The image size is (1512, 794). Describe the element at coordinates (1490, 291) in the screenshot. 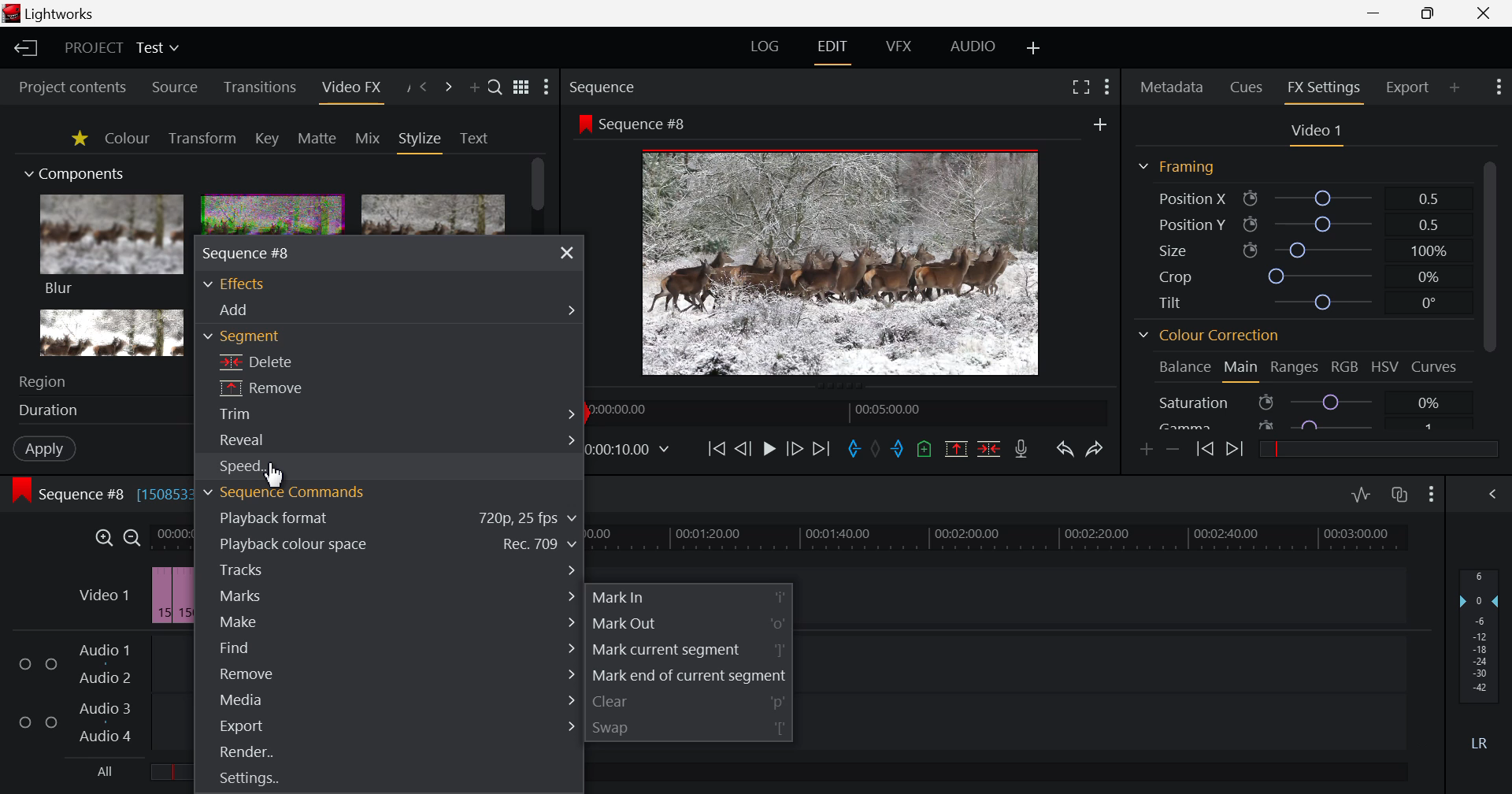

I see `Scroll Bar` at that location.